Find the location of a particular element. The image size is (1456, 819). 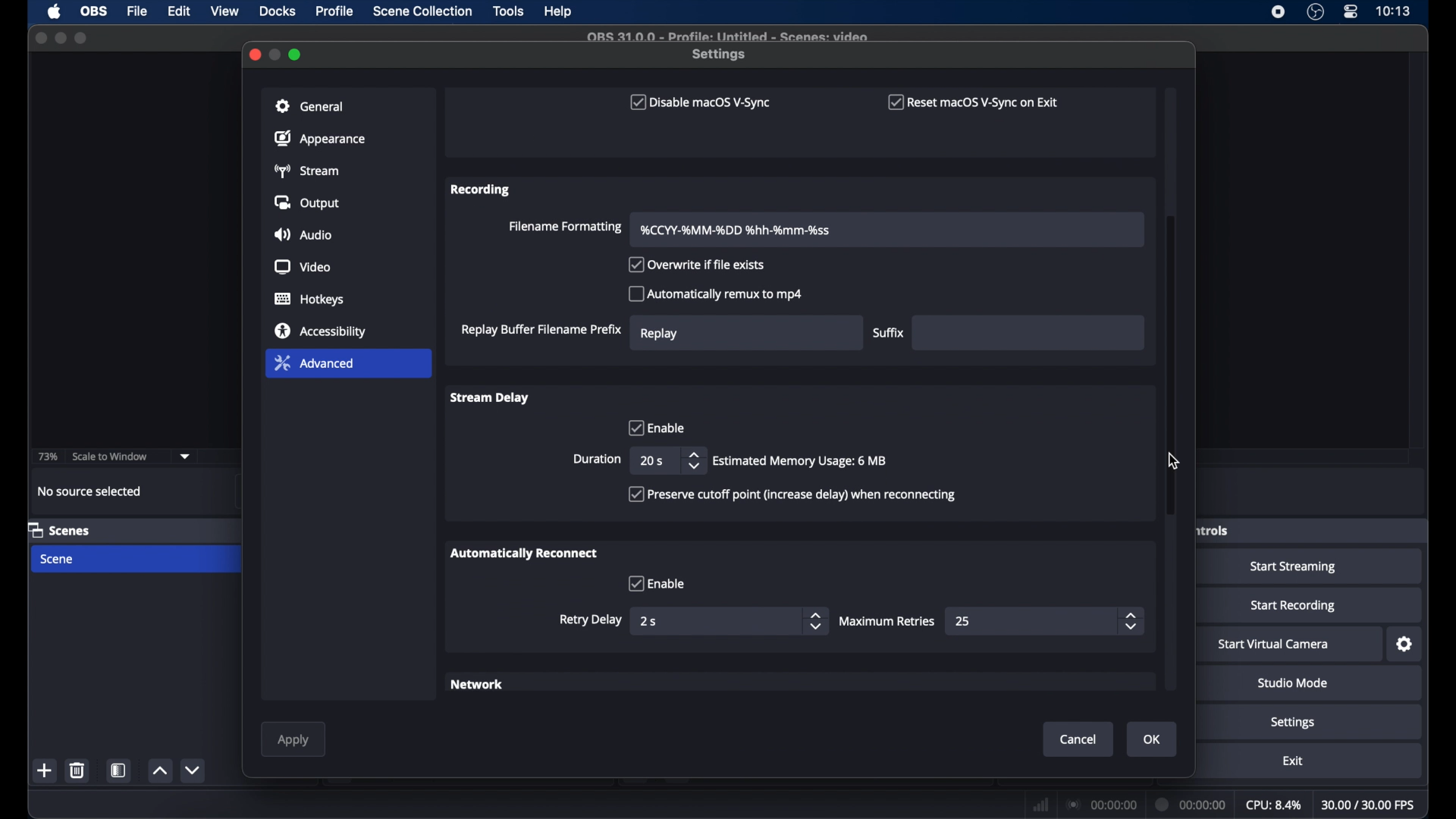

decrement is located at coordinates (192, 770).